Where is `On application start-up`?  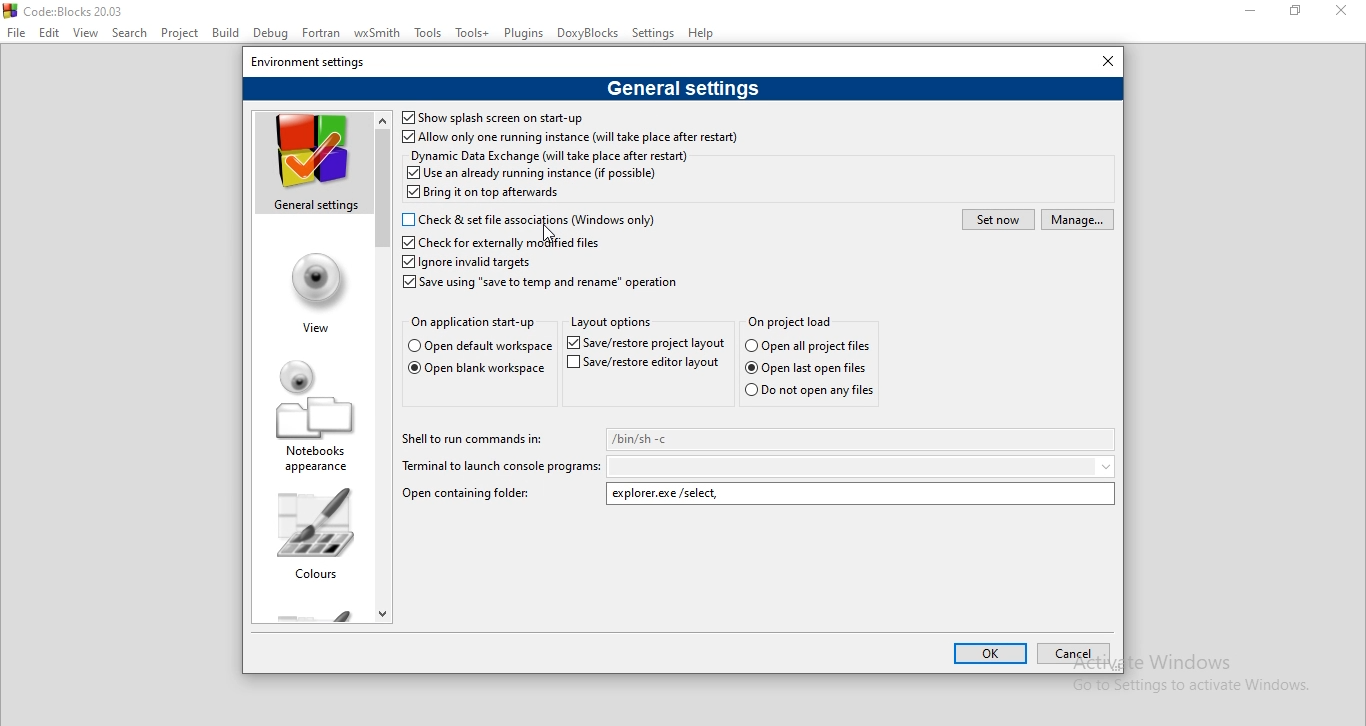
On application start-up is located at coordinates (473, 322).